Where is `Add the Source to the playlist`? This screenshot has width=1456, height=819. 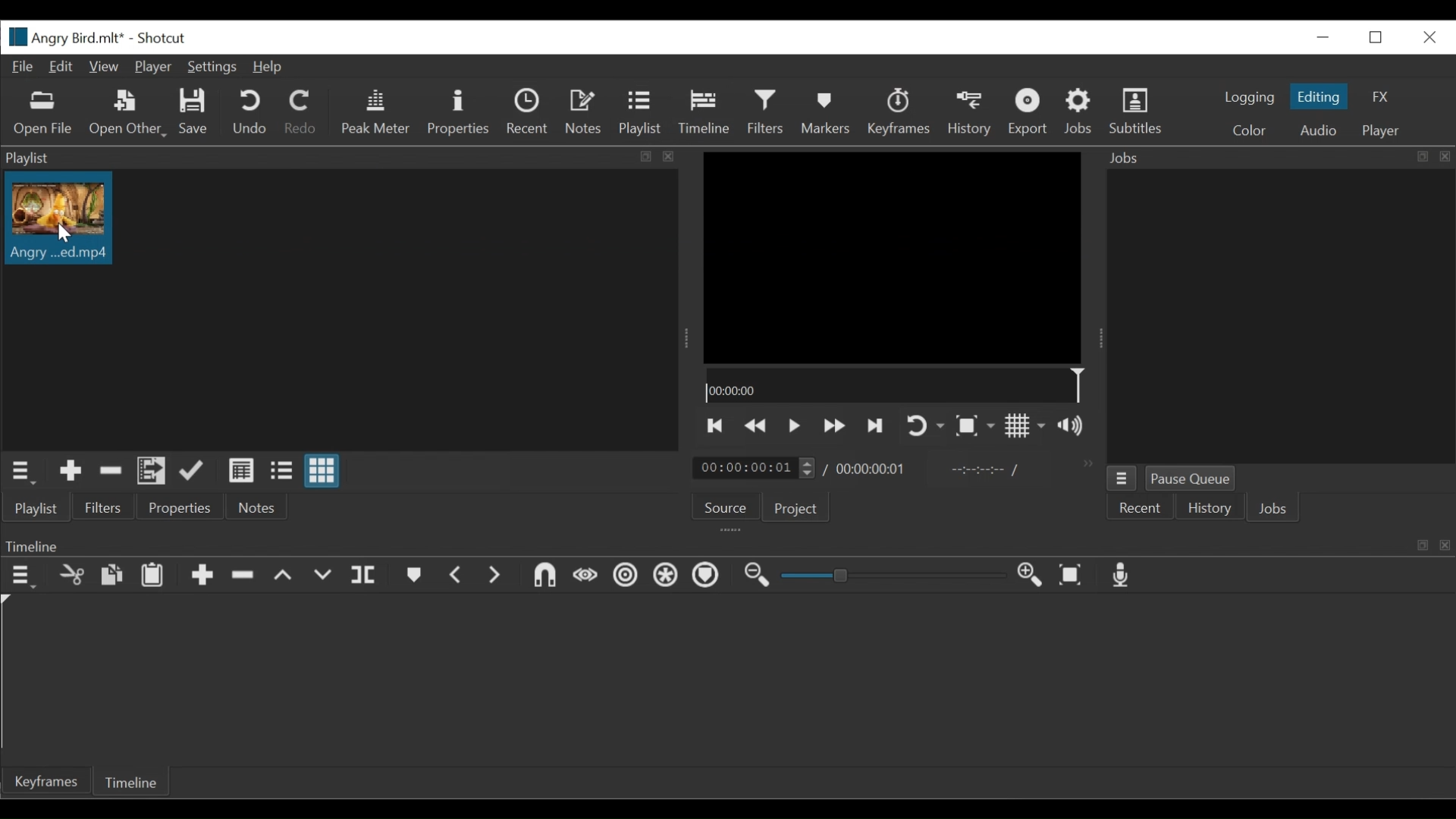
Add the Source to the playlist is located at coordinates (71, 472).